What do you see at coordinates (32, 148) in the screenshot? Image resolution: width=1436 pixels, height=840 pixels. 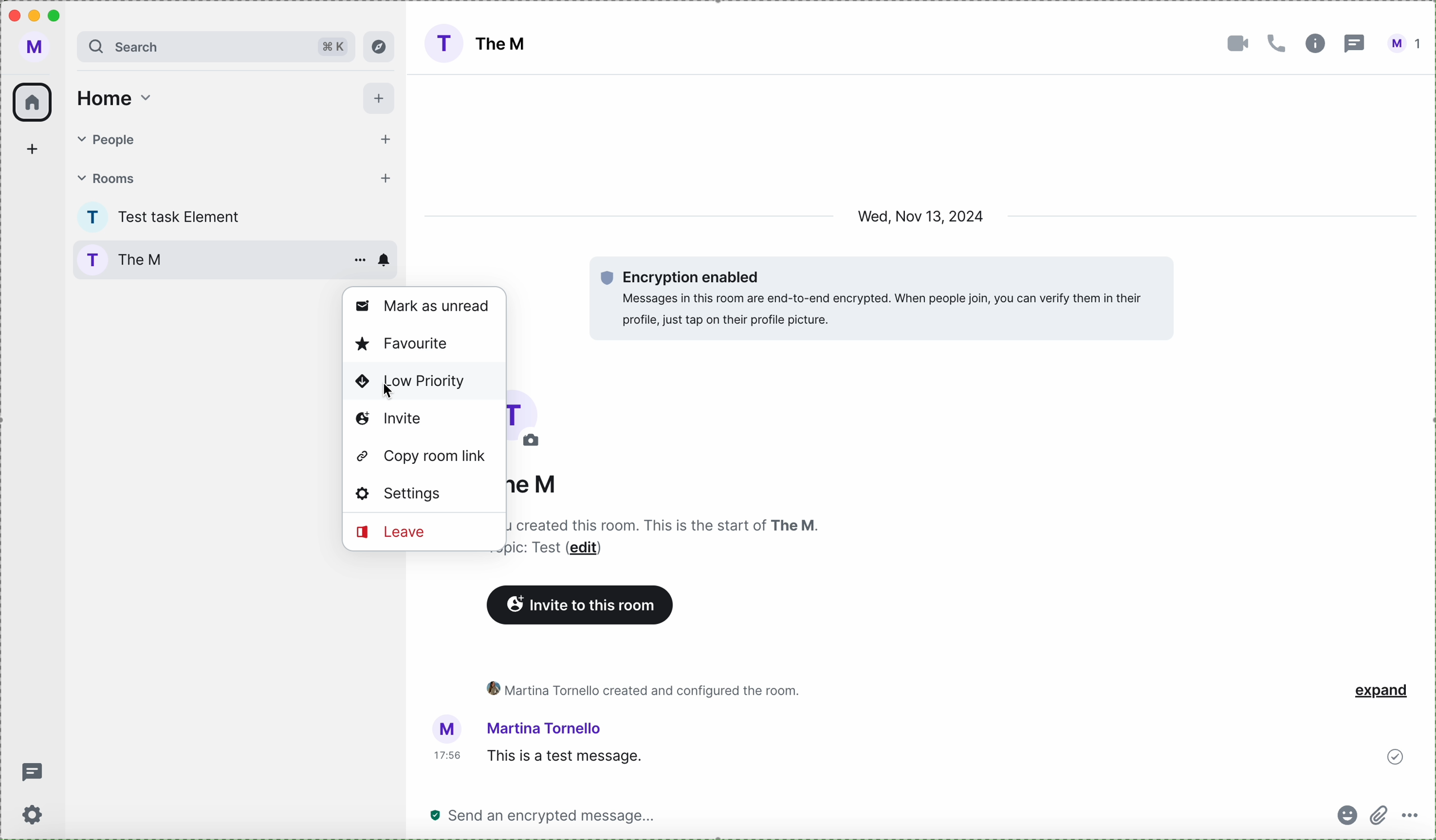 I see `add` at bounding box center [32, 148].